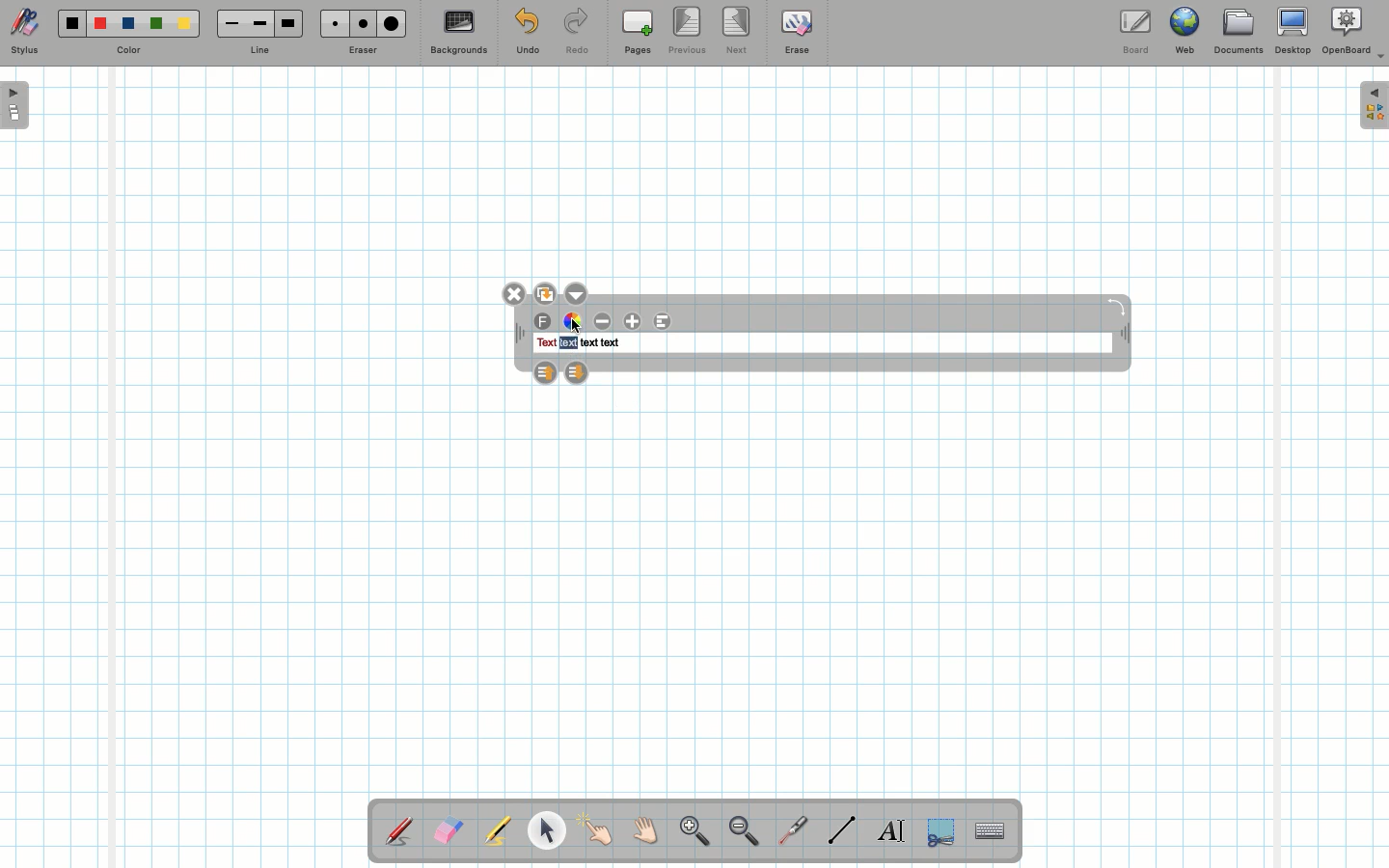  Describe the element at coordinates (1238, 34) in the screenshot. I see `Documents` at that location.